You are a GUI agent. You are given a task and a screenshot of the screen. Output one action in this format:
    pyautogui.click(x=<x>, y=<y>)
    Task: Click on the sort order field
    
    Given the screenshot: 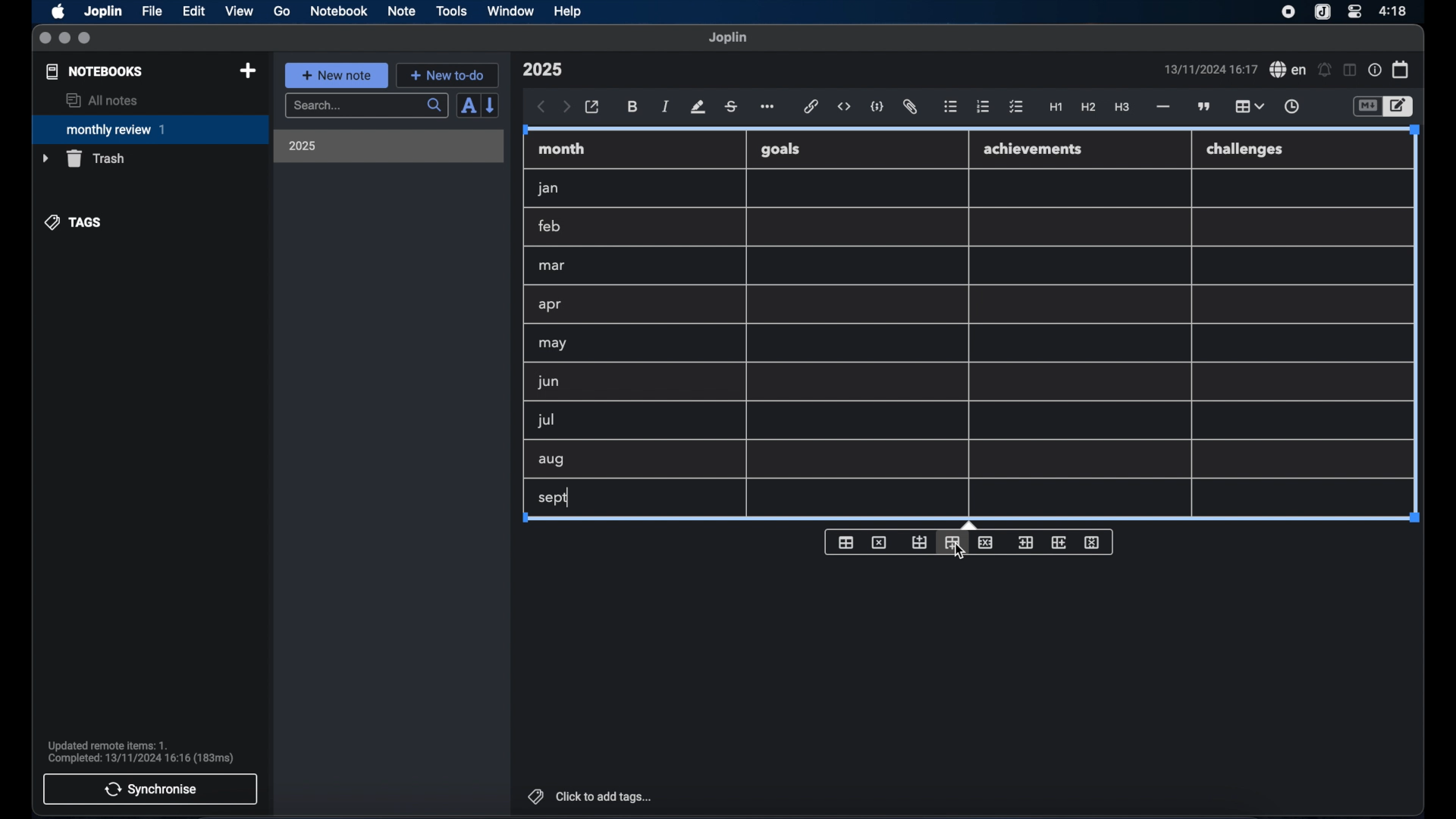 What is the action you would take?
    pyautogui.click(x=468, y=106)
    